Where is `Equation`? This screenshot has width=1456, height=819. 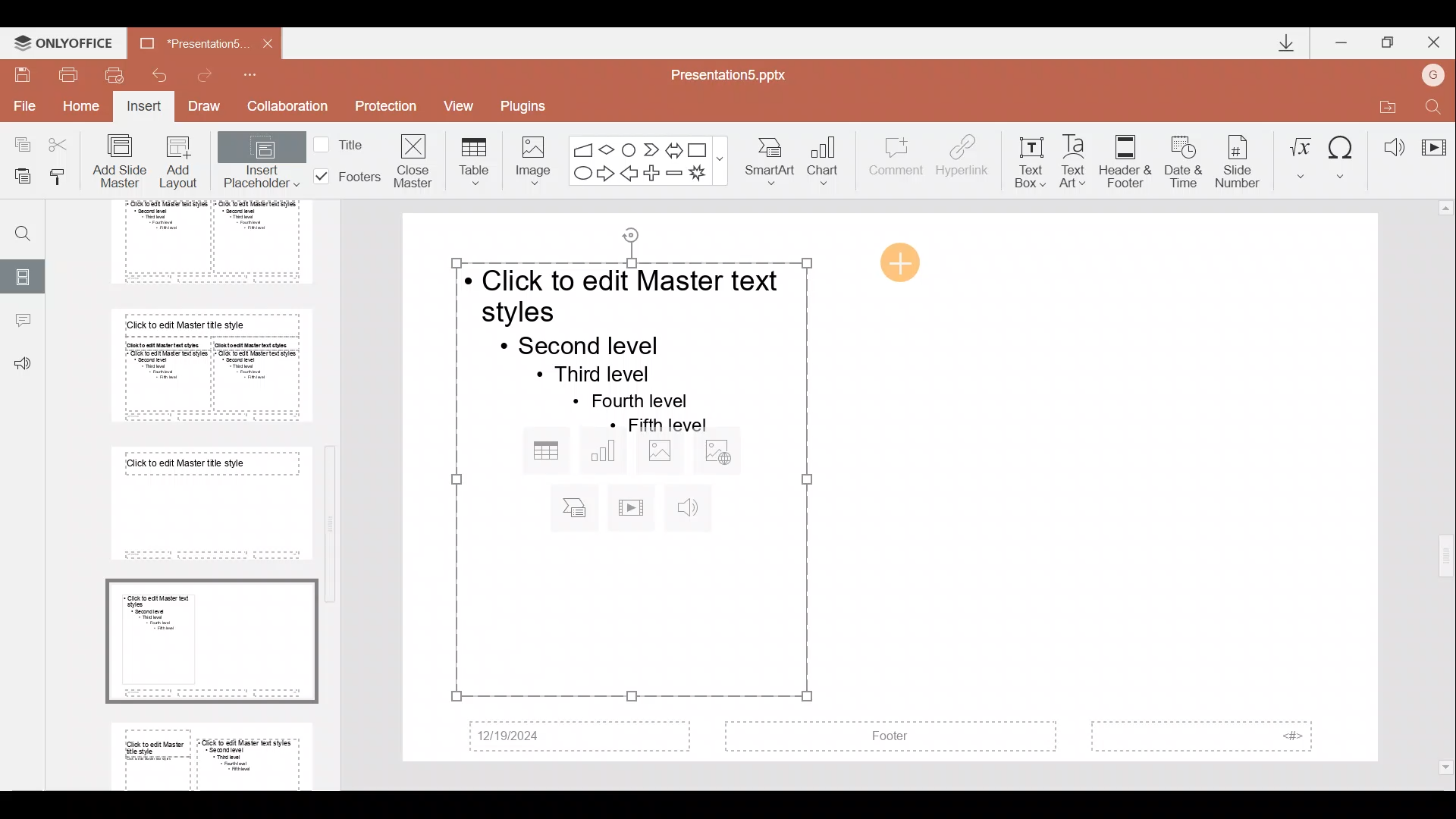 Equation is located at coordinates (1300, 155).